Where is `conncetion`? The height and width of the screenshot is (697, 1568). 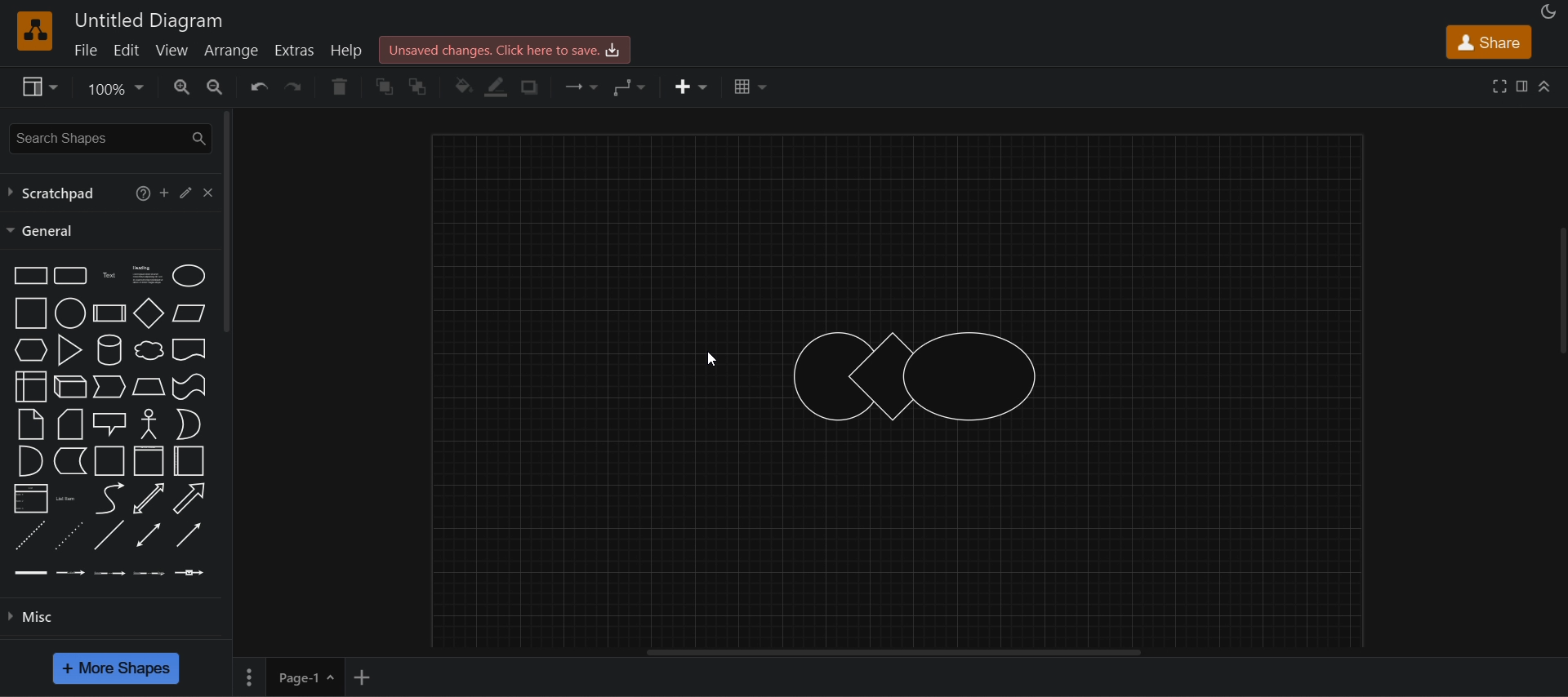
conncetion is located at coordinates (578, 85).